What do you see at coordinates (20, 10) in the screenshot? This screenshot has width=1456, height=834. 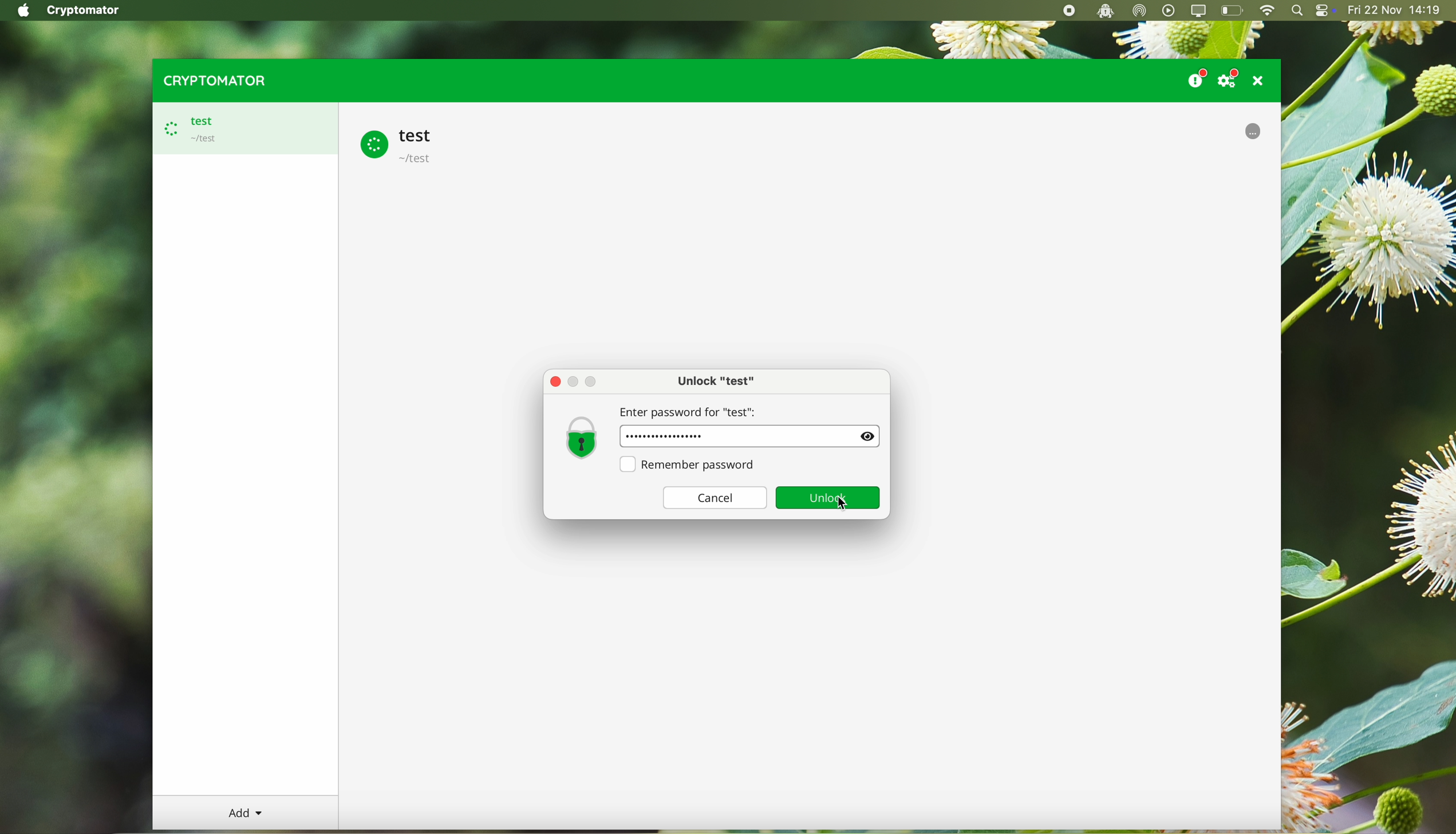 I see `Apple icon` at bounding box center [20, 10].